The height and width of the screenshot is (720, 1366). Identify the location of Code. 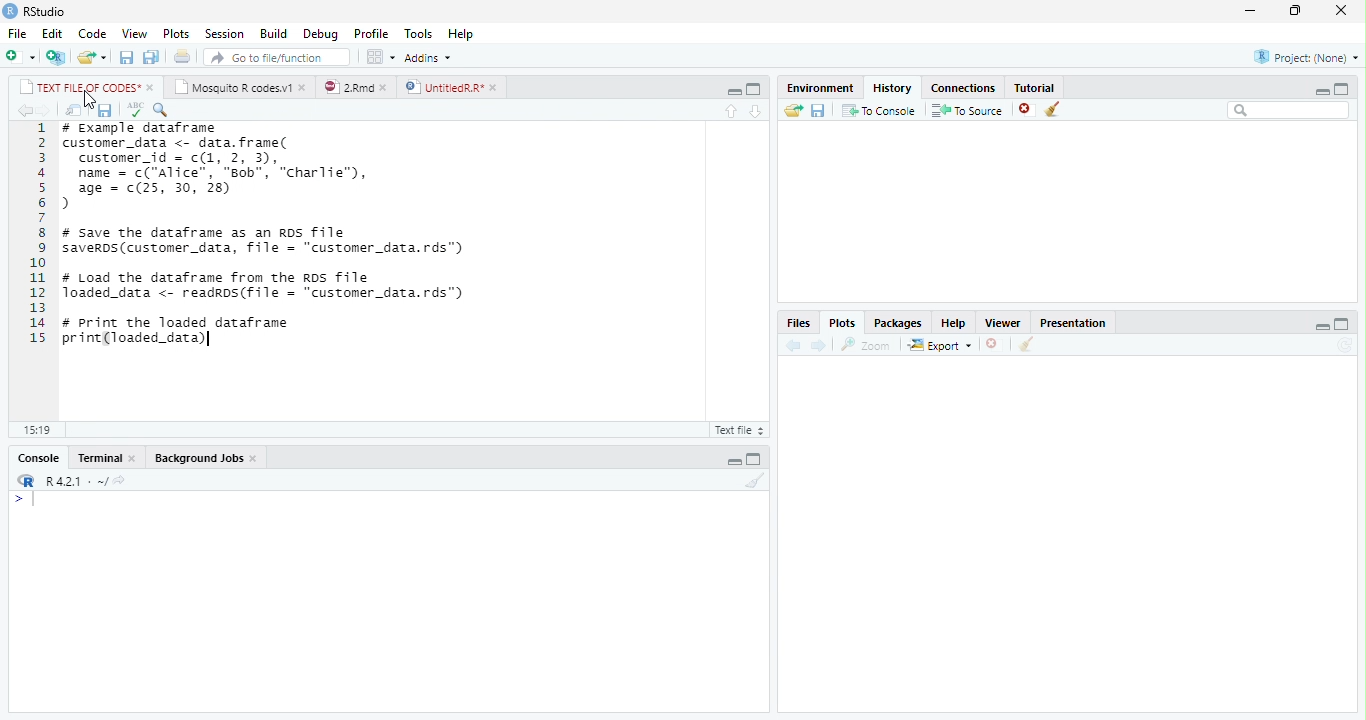
(92, 34).